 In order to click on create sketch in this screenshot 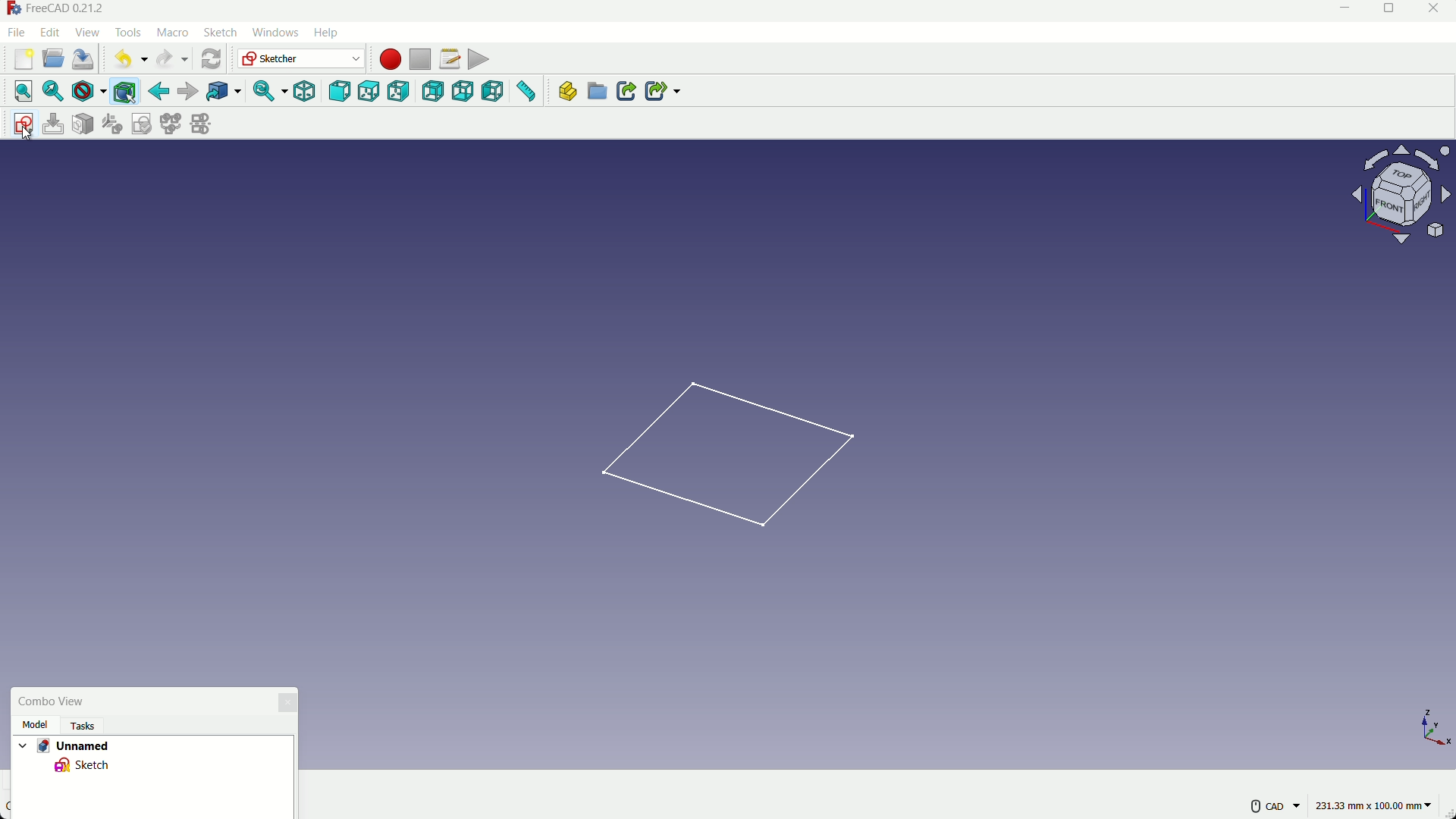, I will do `click(25, 125)`.